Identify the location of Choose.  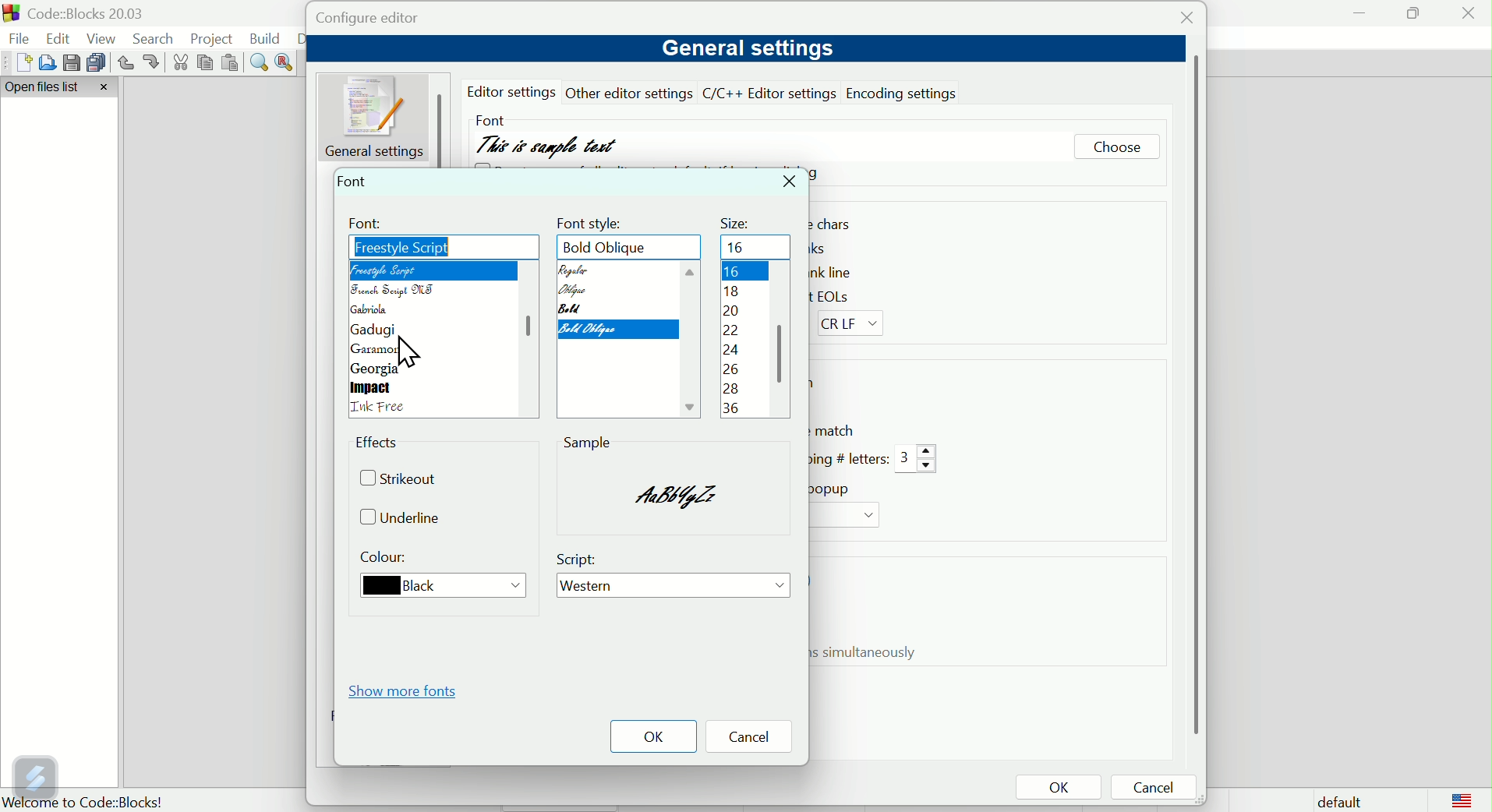
(1116, 149).